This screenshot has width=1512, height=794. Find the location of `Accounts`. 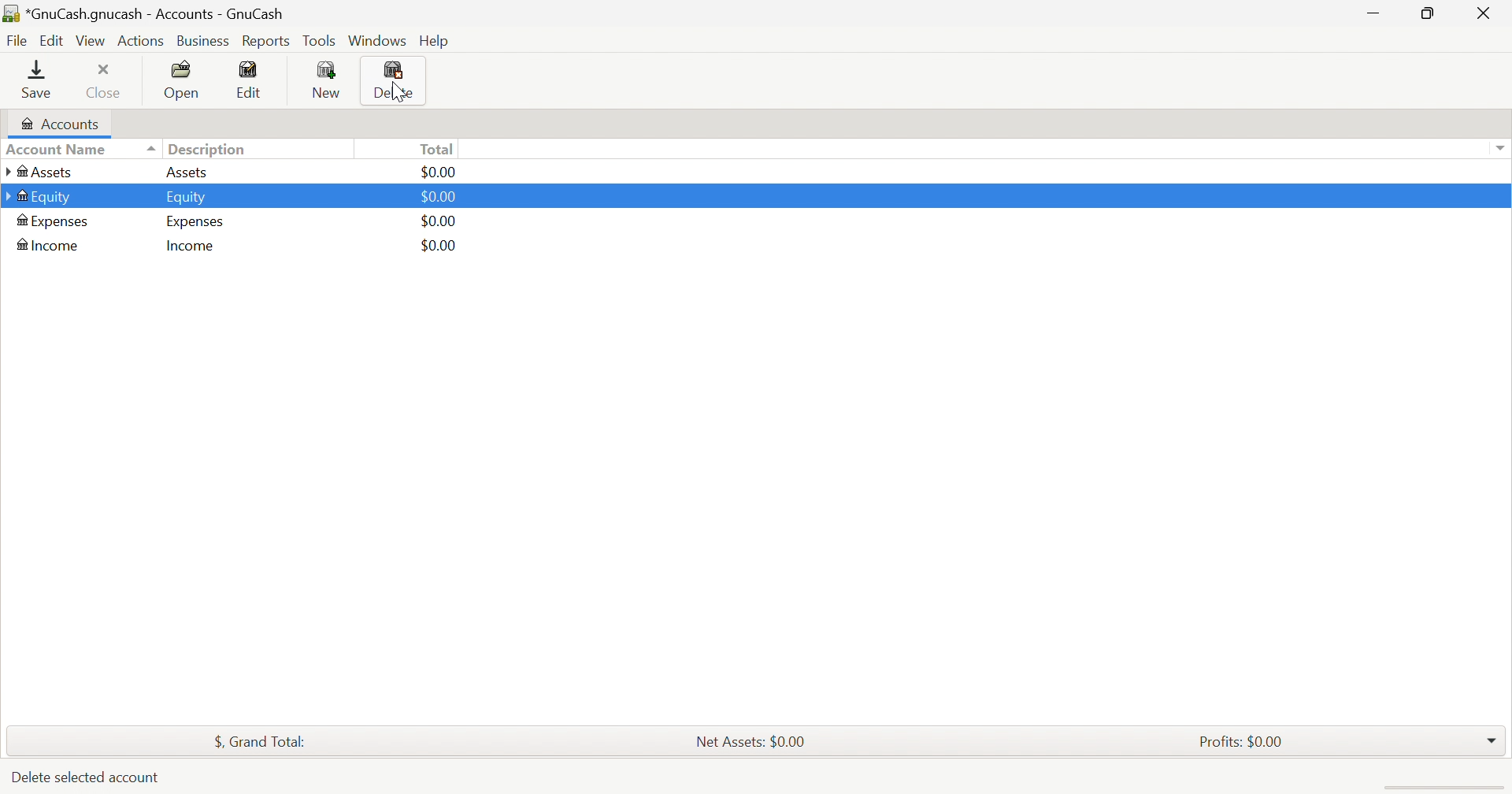

Accounts is located at coordinates (59, 123).